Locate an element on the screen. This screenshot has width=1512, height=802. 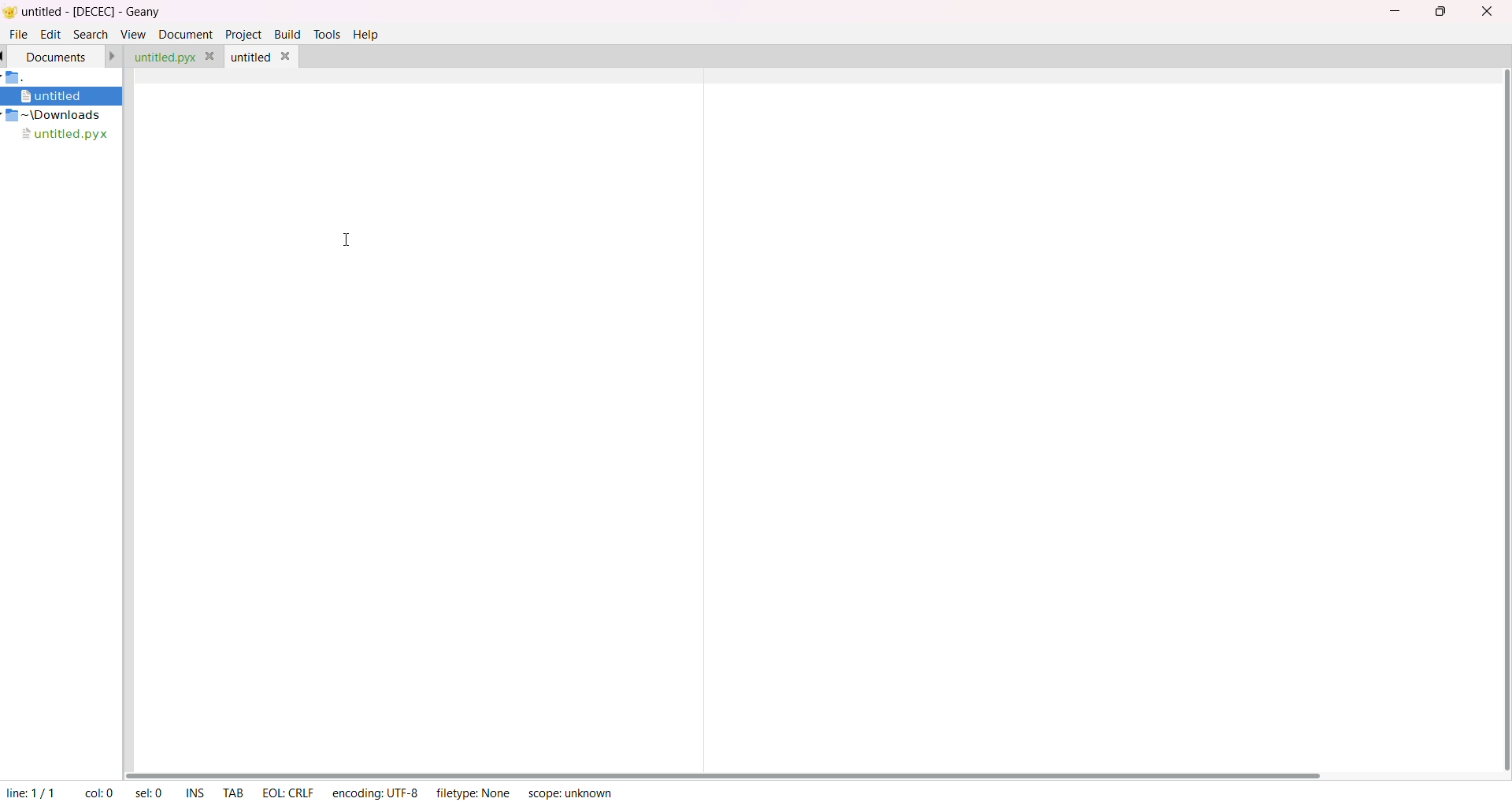
build is located at coordinates (288, 35).